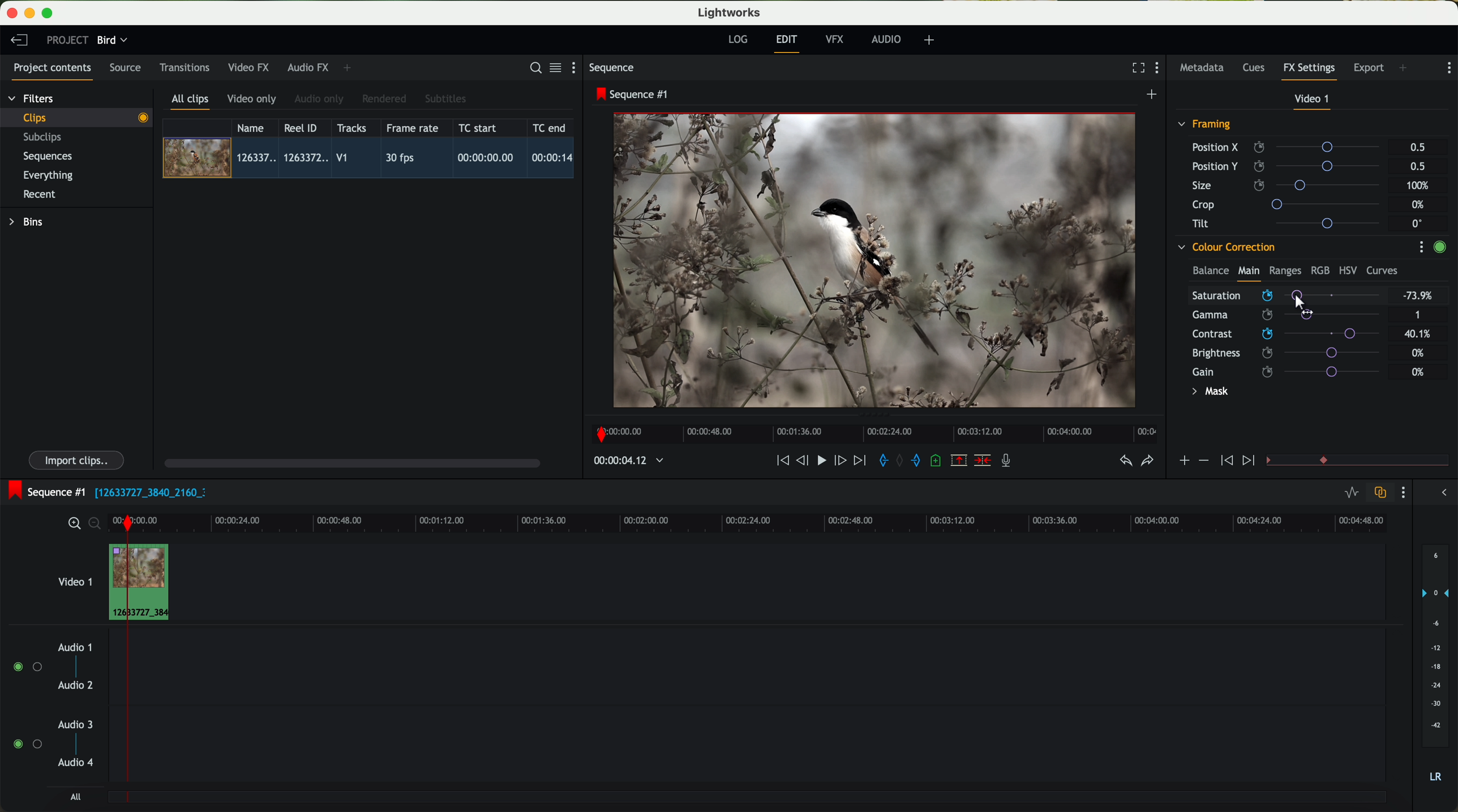 The width and height of the screenshot is (1458, 812). What do you see at coordinates (125, 68) in the screenshot?
I see `source` at bounding box center [125, 68].